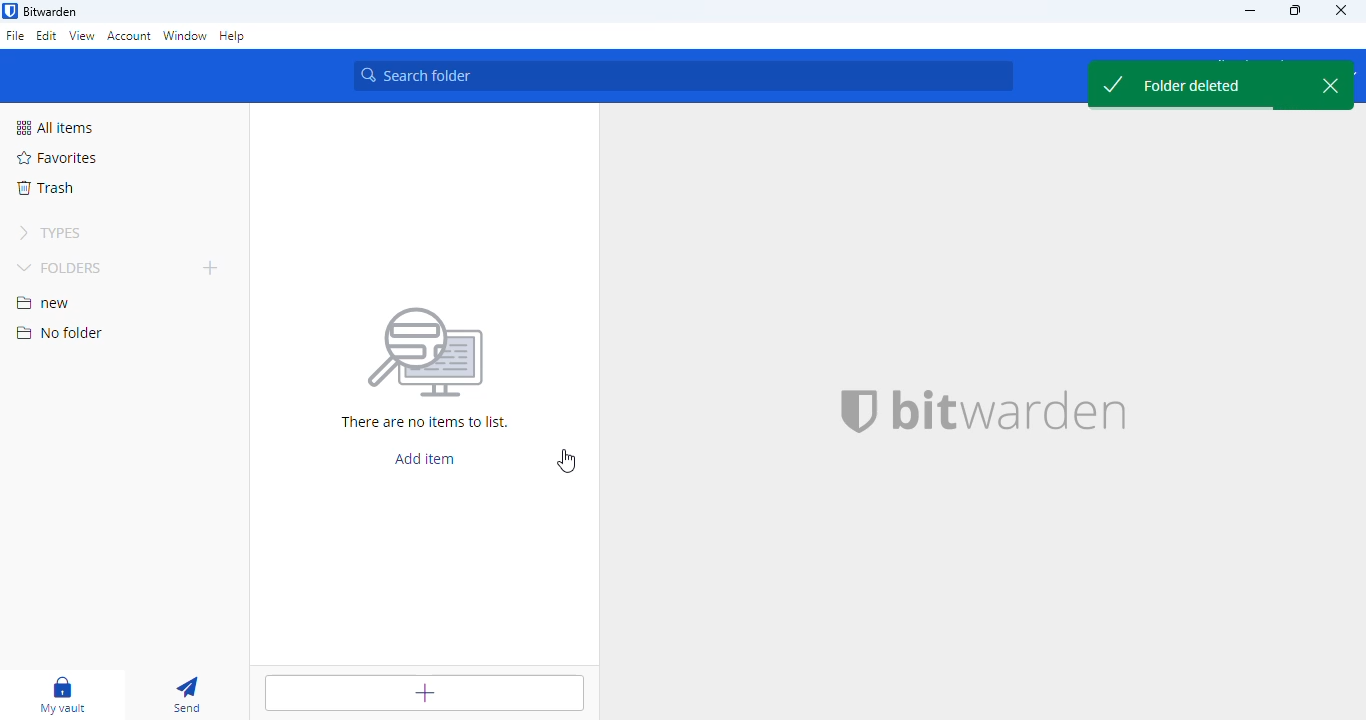 This screenshot has height=720, width=1366. What do you see at coordinates (50, 12) in the screenshot?
I see `bitwarden` at bounding box center [50, 12].